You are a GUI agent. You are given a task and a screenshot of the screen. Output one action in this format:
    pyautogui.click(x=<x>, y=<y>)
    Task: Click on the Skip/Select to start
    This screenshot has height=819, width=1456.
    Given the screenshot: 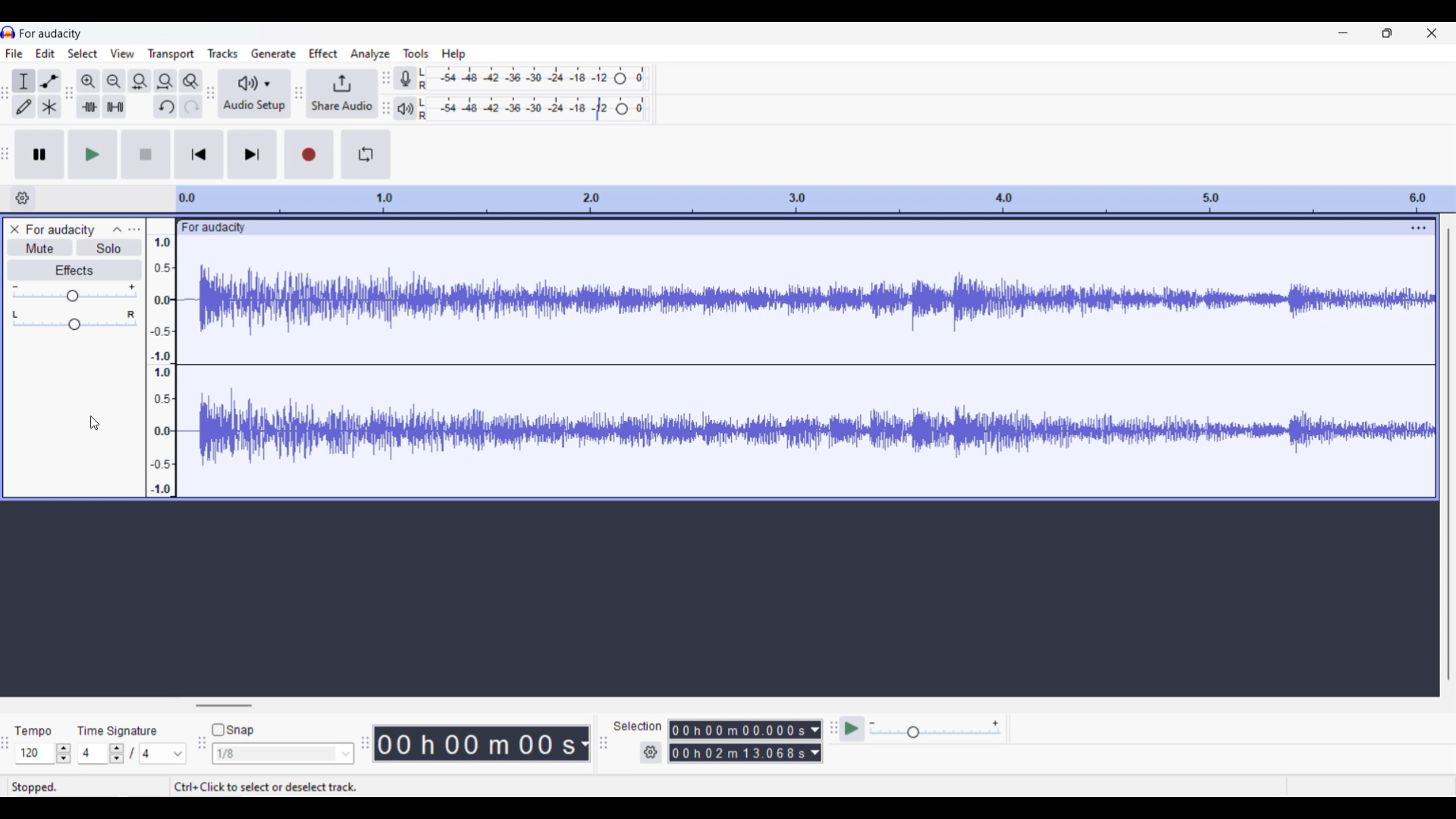 What is the action you would take?
    pyautogui.click(x=199, y=155)
    